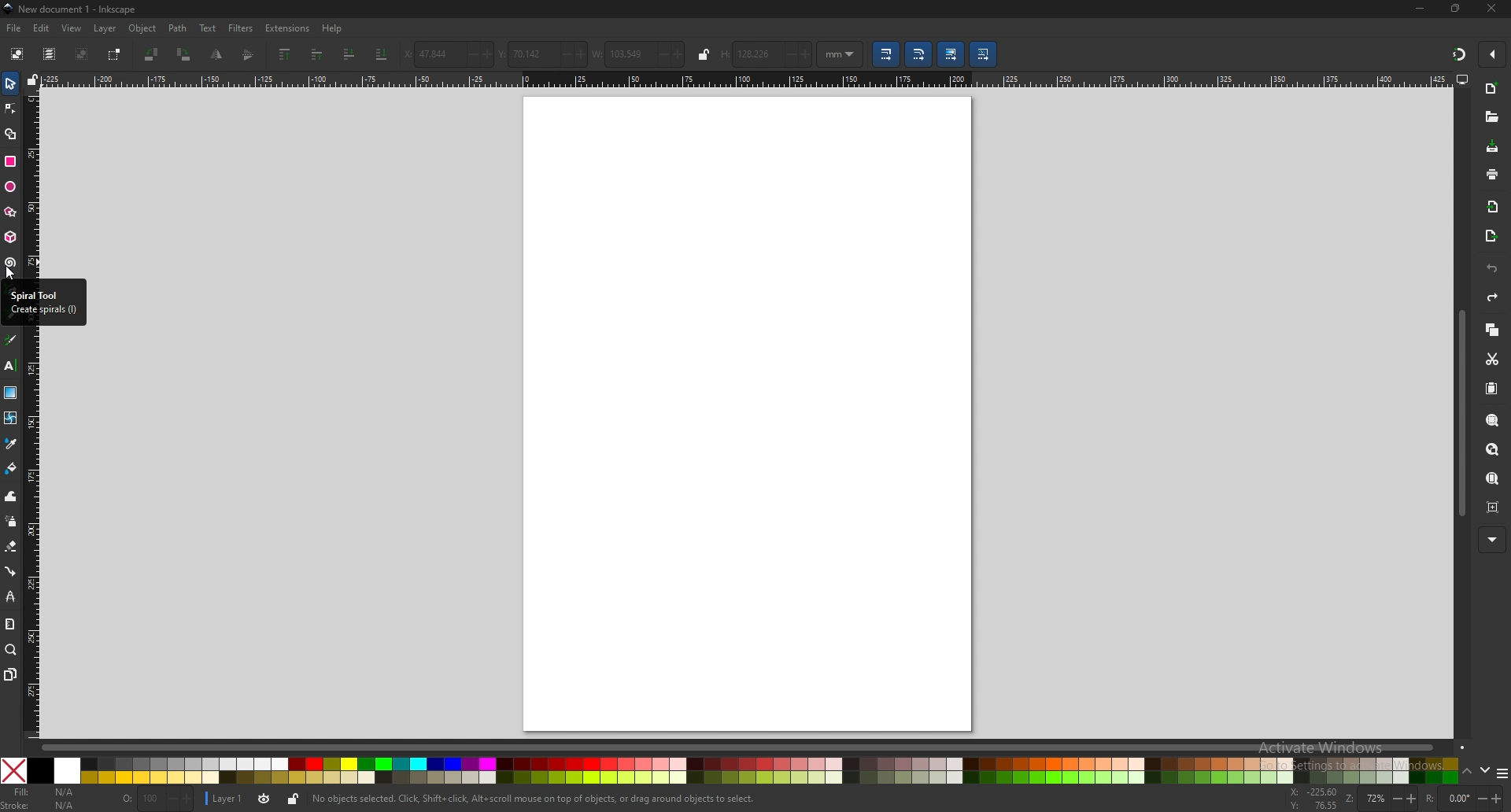  I want to click on export, so click(1490, 236).